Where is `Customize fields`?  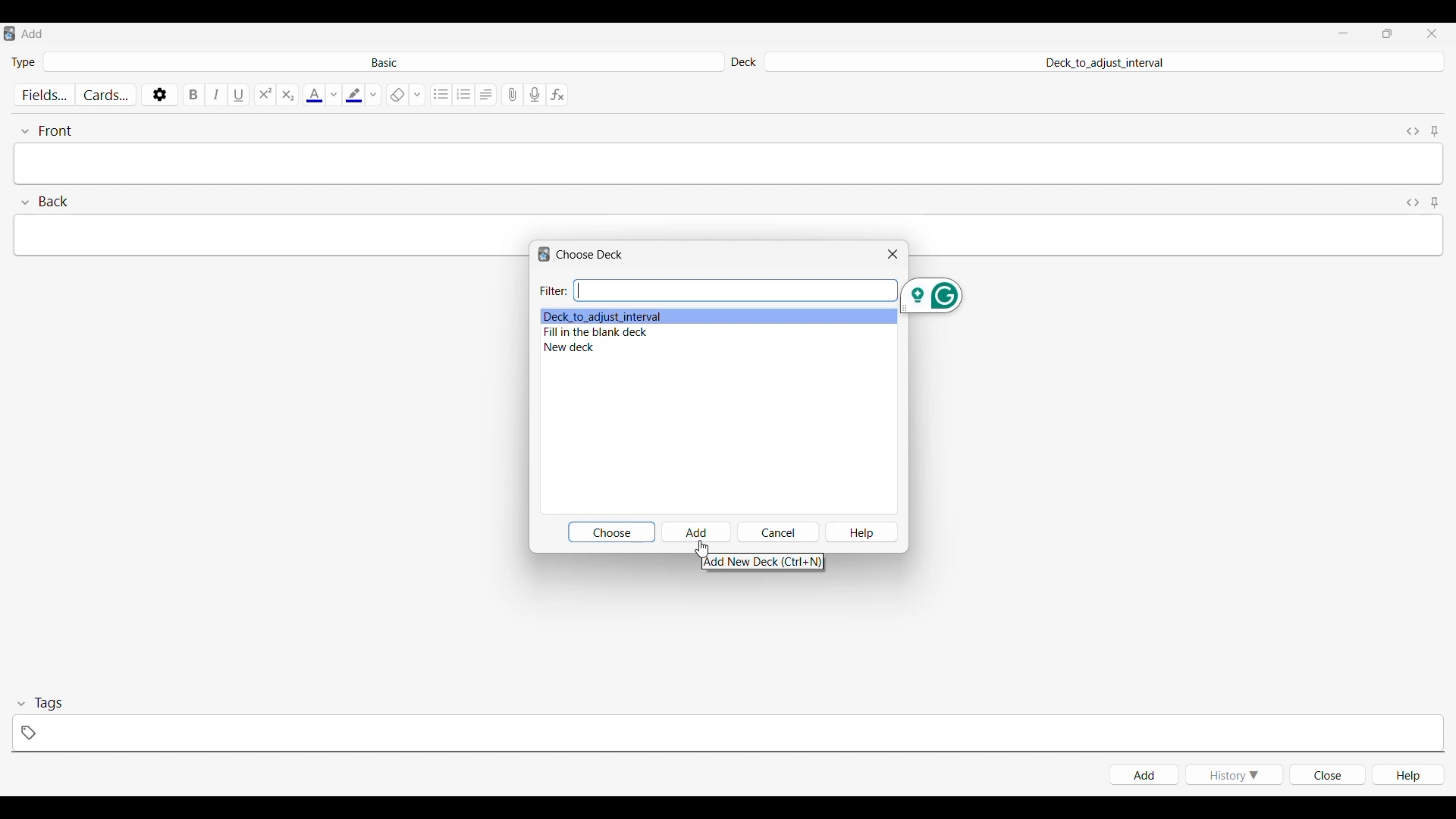 Customize fields is located at coordinates (46, 95).